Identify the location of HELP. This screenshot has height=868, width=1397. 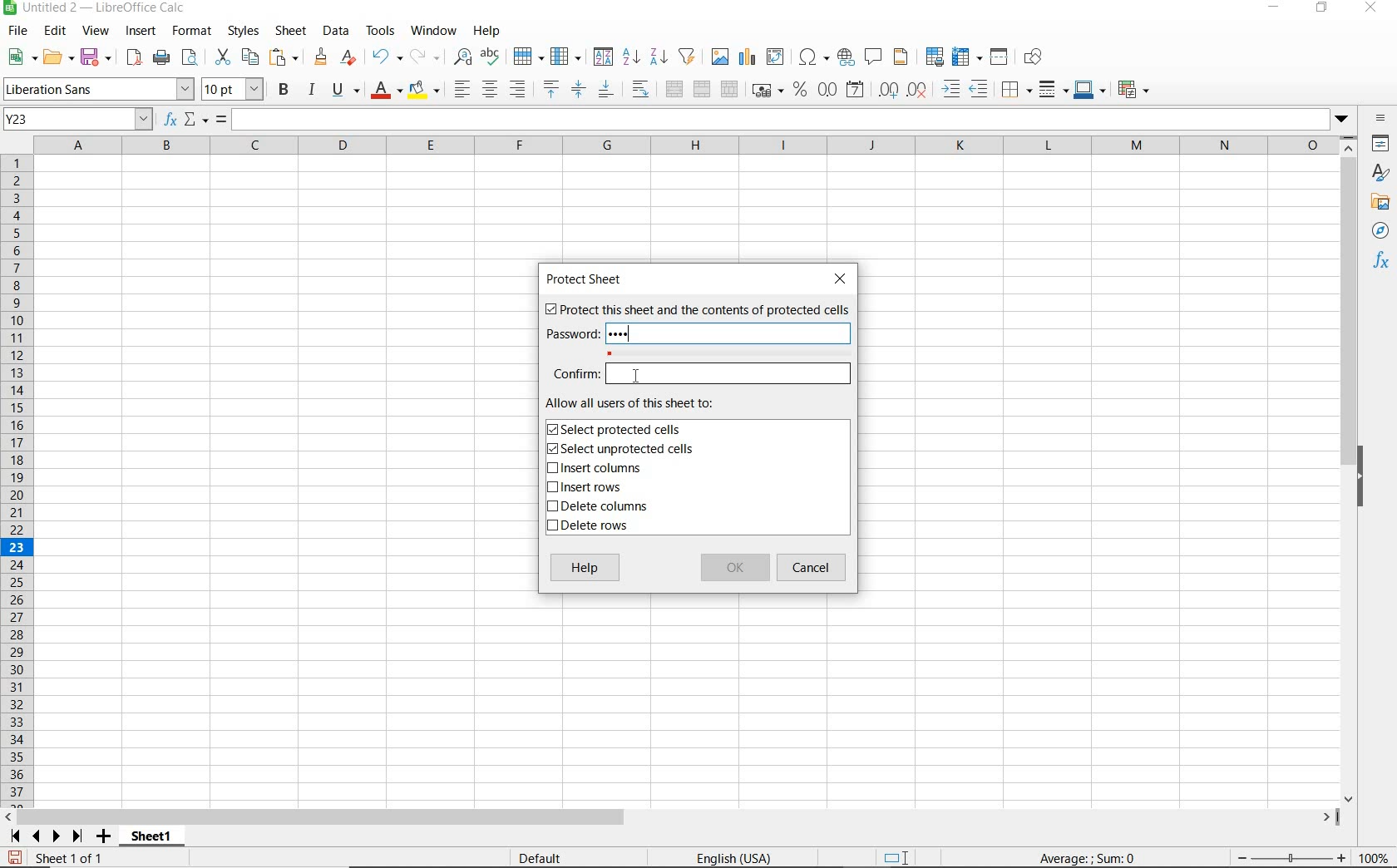
(585, 570).